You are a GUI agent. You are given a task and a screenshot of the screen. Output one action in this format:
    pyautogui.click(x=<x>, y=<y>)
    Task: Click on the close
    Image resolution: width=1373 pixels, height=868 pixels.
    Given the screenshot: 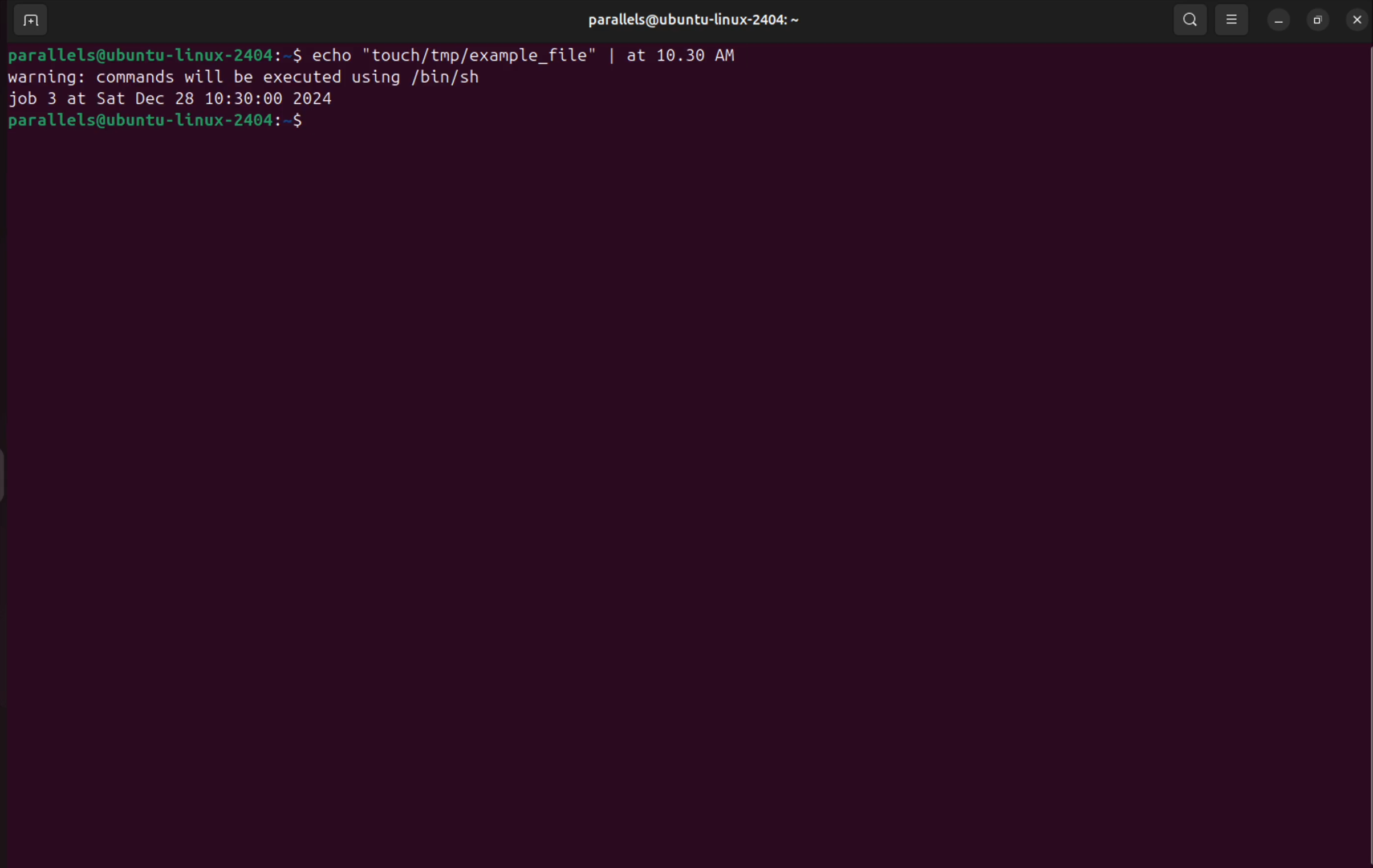 What is the action you would take?
    pyautogui.click(x=1354, y=20)
    